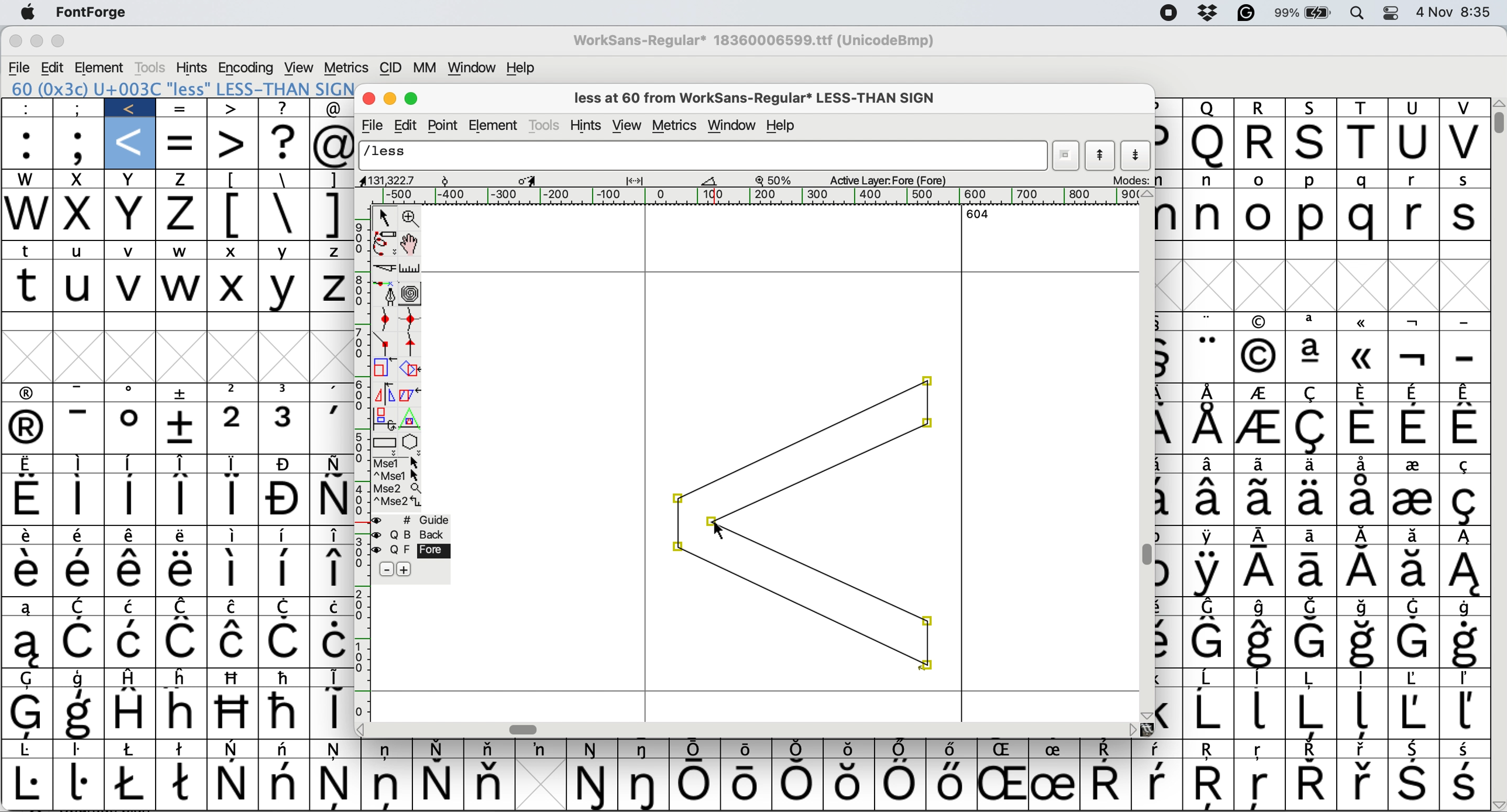  What do you see at coordinates (232, 712) in the screenshot?
I see `Symbol` at bounding box center [232, 712].